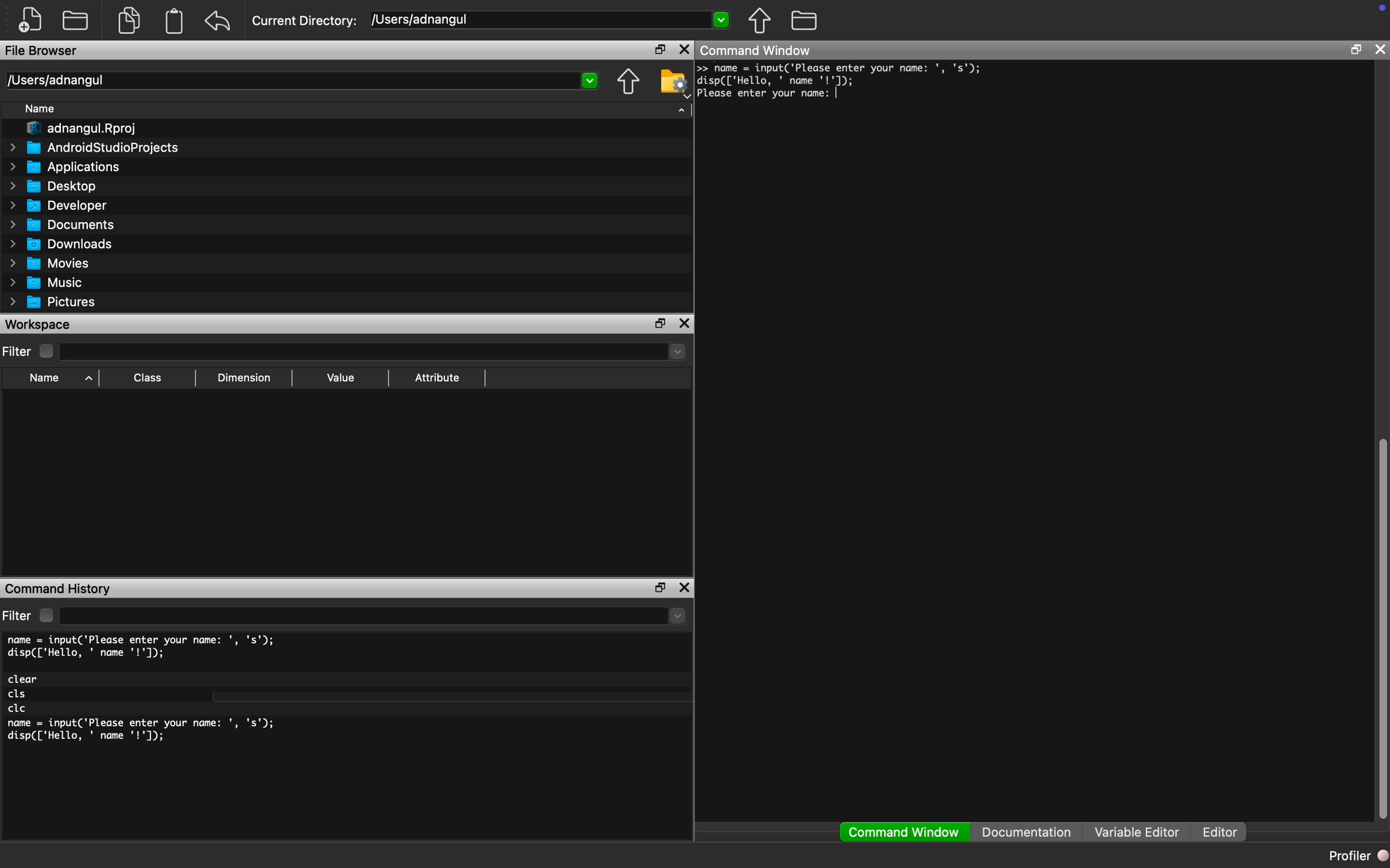 The height and width of the screenshot is (868, 1390). What do you see at coordinates (720, 18) in the screenshot?
I see `dropdown` at bounding box center [720, 18].